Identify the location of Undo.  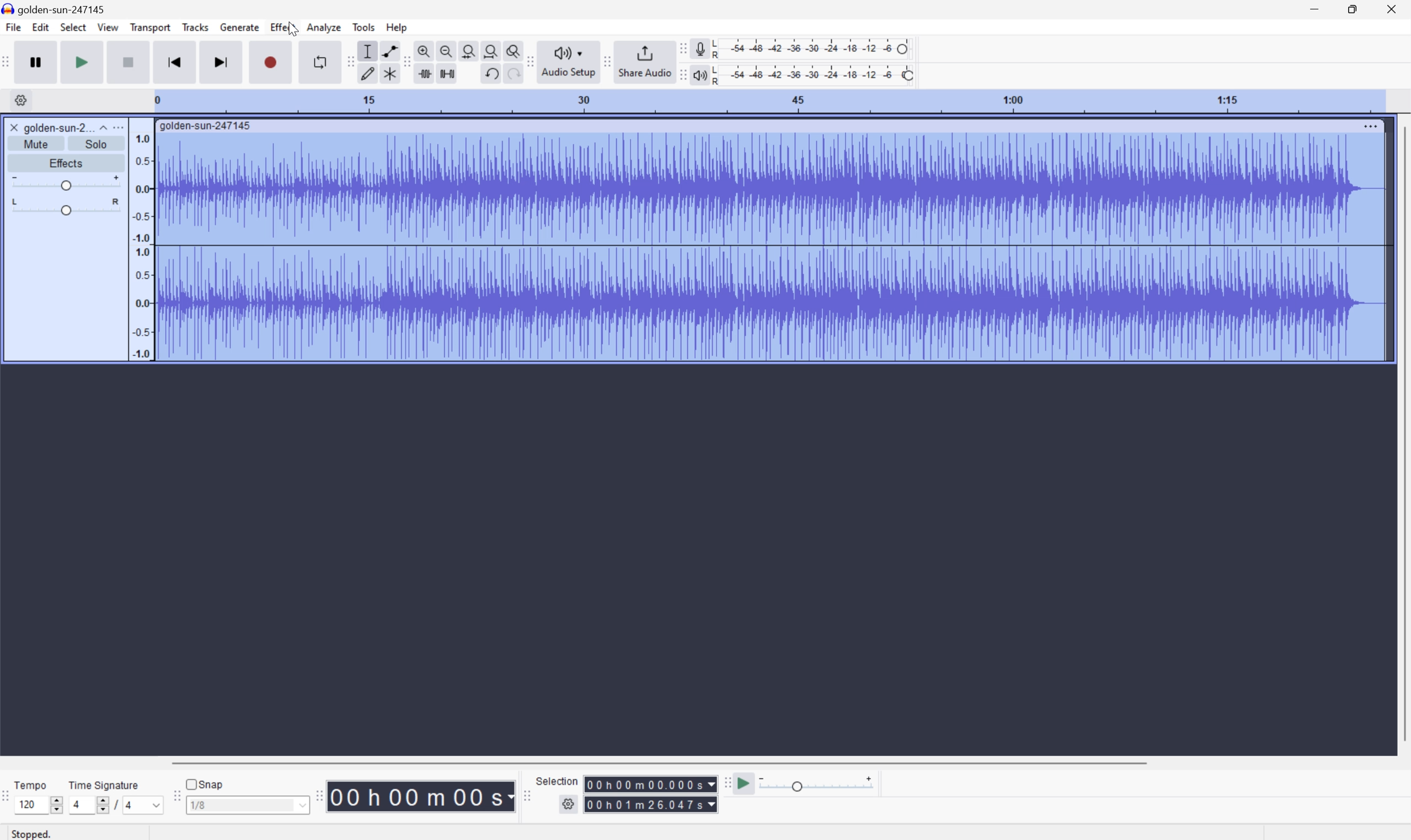
(491, 74).